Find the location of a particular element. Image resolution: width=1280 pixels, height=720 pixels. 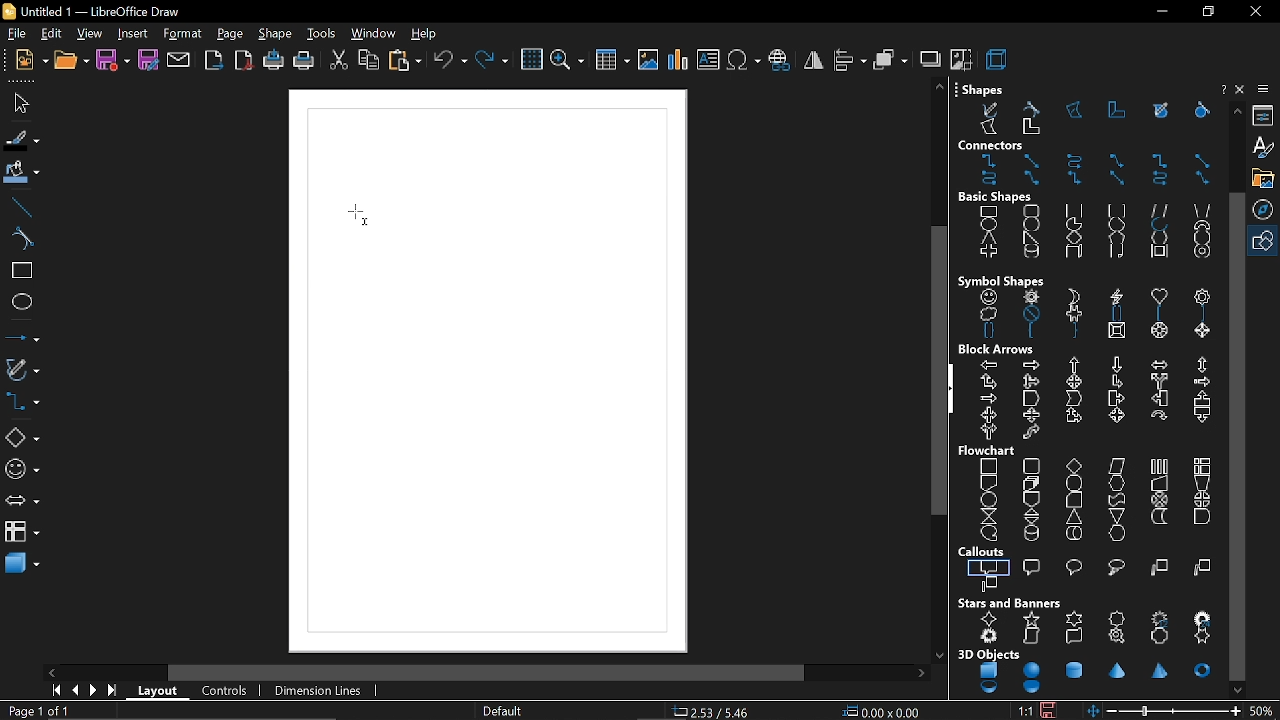

curve is located at coordinates (1035, 108).